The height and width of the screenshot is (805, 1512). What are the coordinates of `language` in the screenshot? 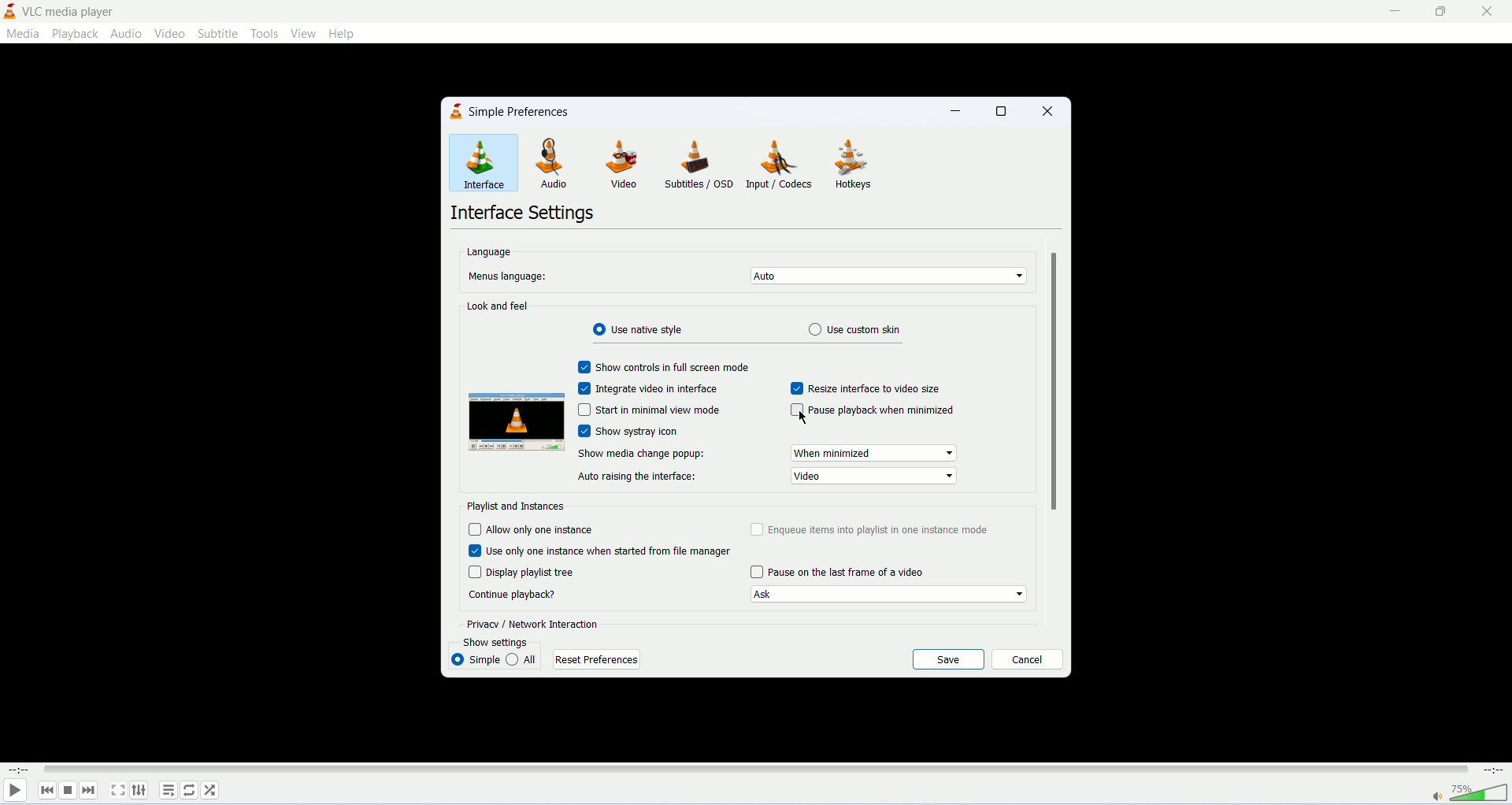 It's located at (487, 253).